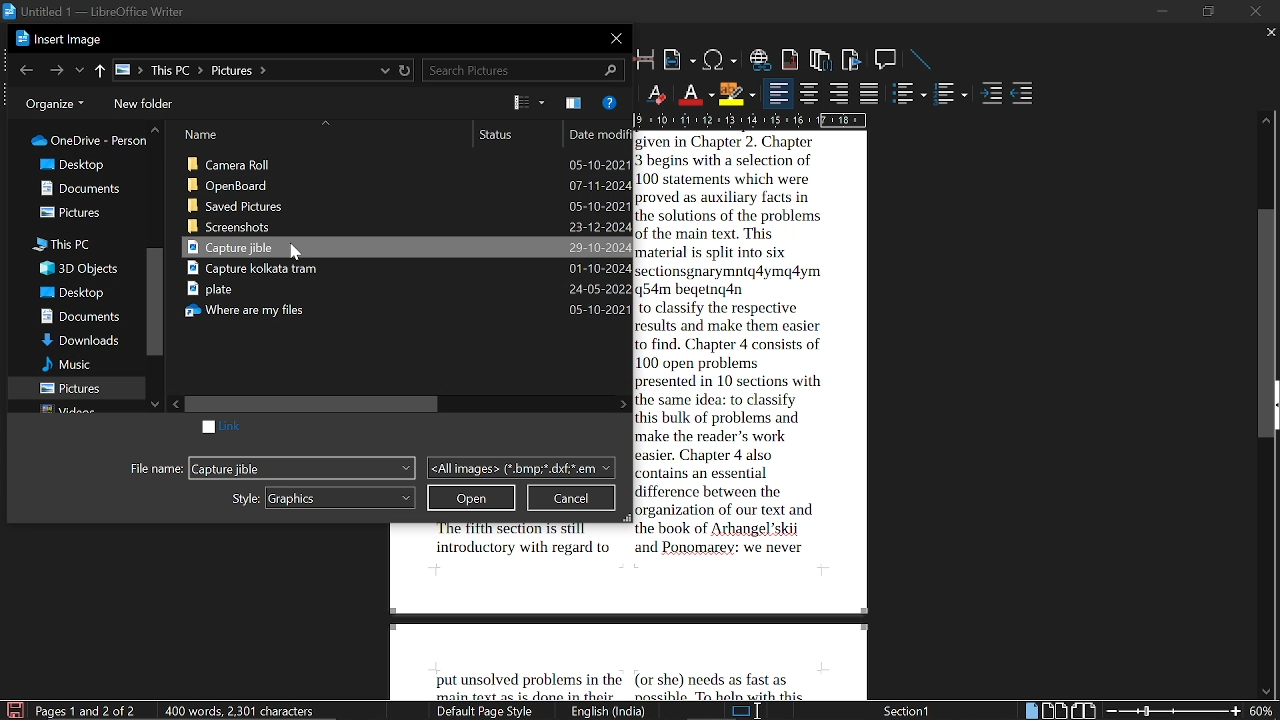 Image resolution: width=1280 pixels, height=720 pixels. I want to click on highlight, so click(738, 94).